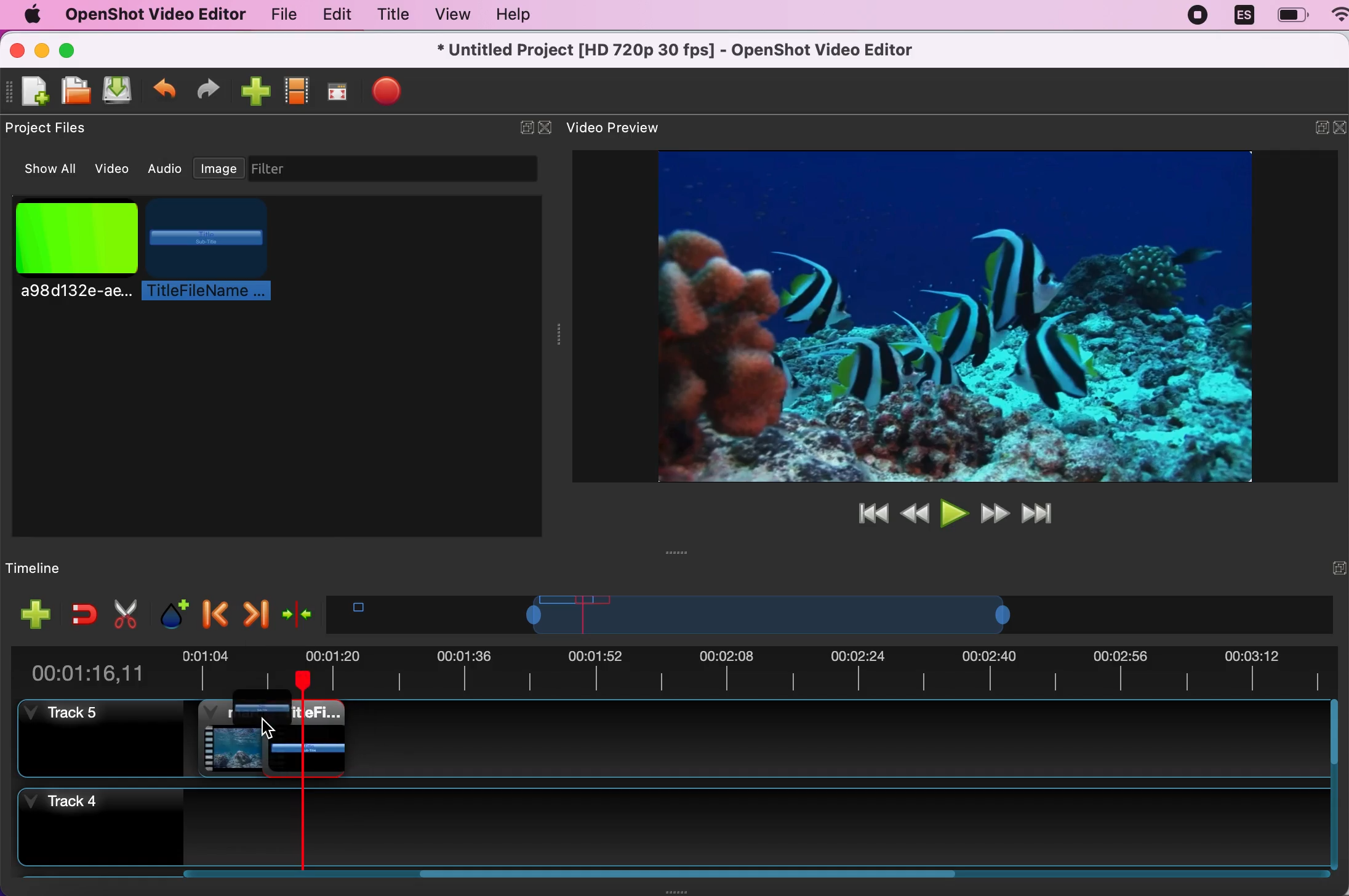  What do you see at coordinates (212, 612) in the screenshot?
I see `previous marker` at bounding box center [212, 612].